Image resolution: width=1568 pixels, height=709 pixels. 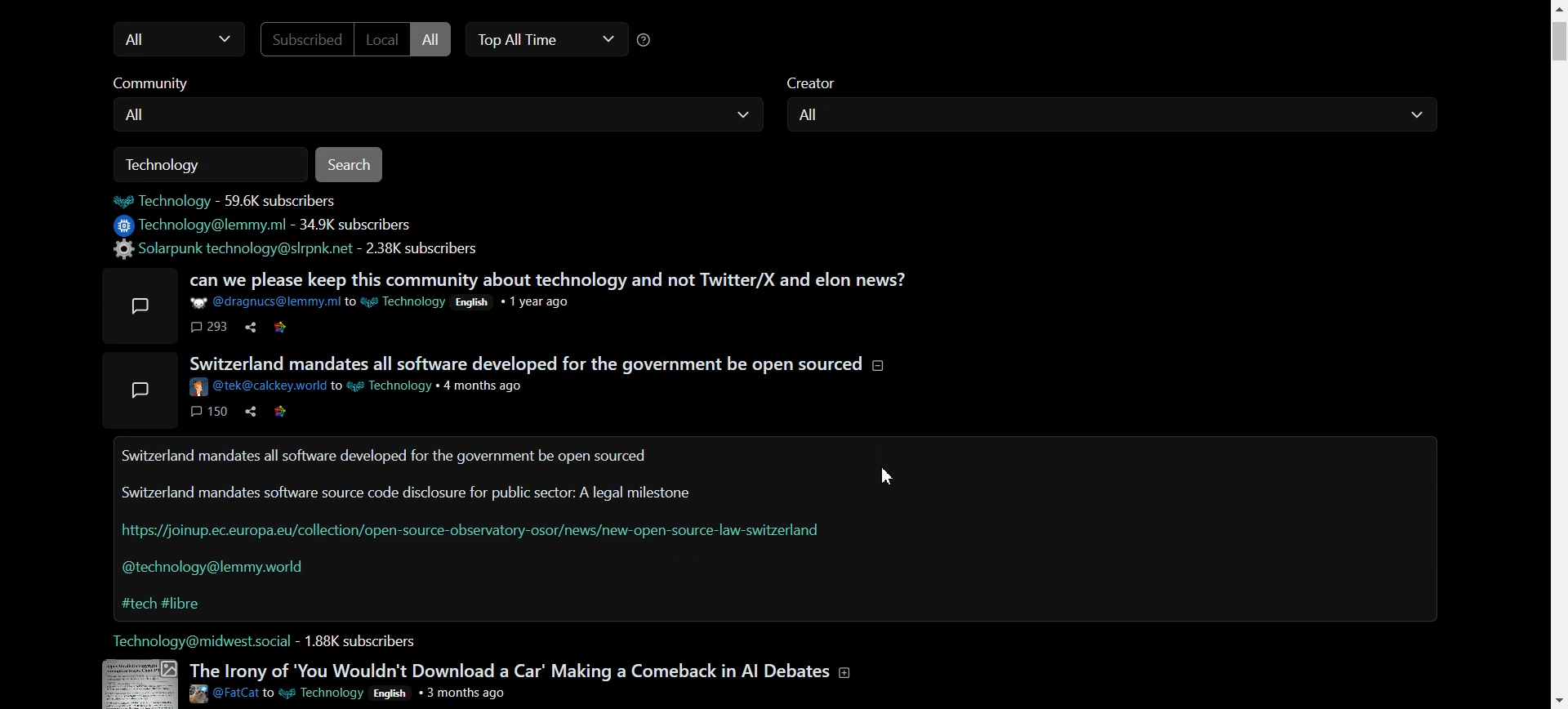 I want to click on Cursor, so click(x=893, y=475).